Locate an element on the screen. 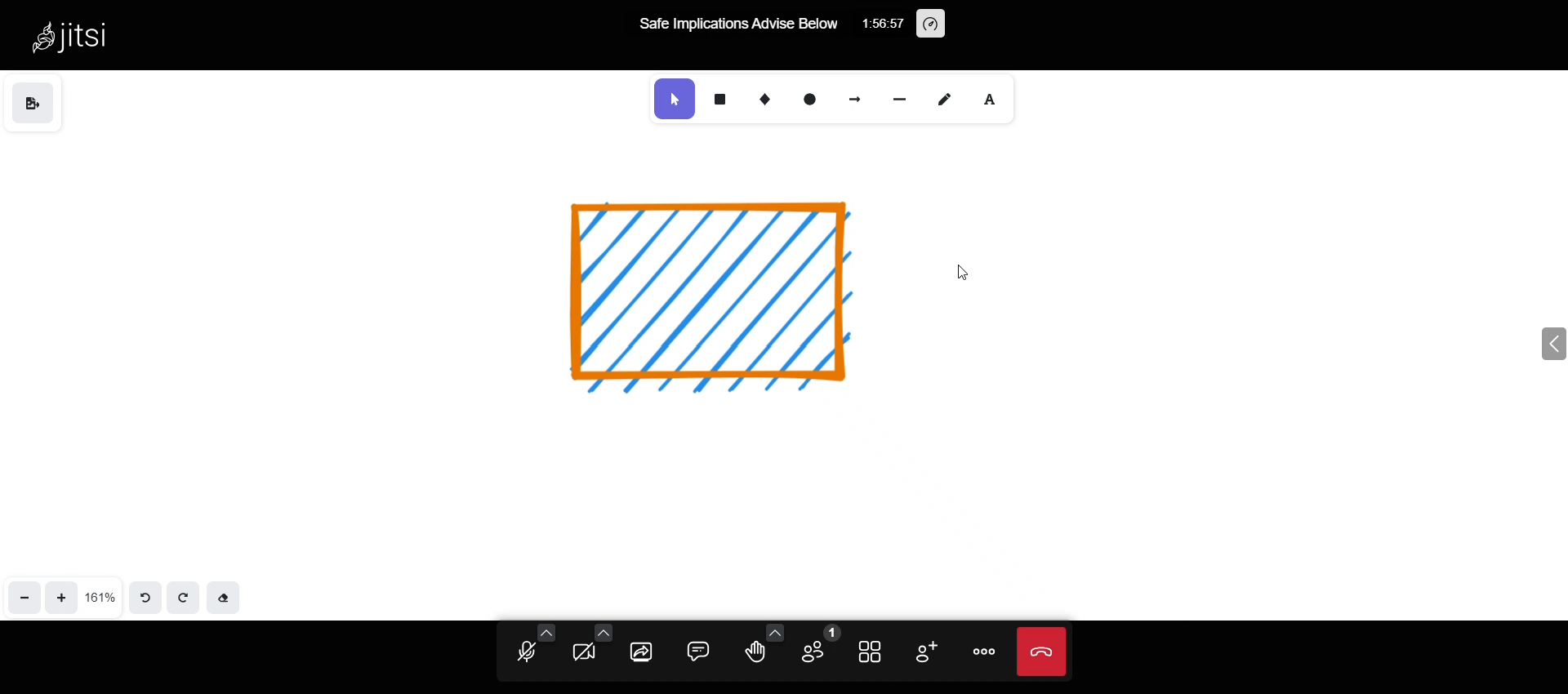 The height and width of the screenshot is (694, 1568). 161% is located at coordinates (100, 594).